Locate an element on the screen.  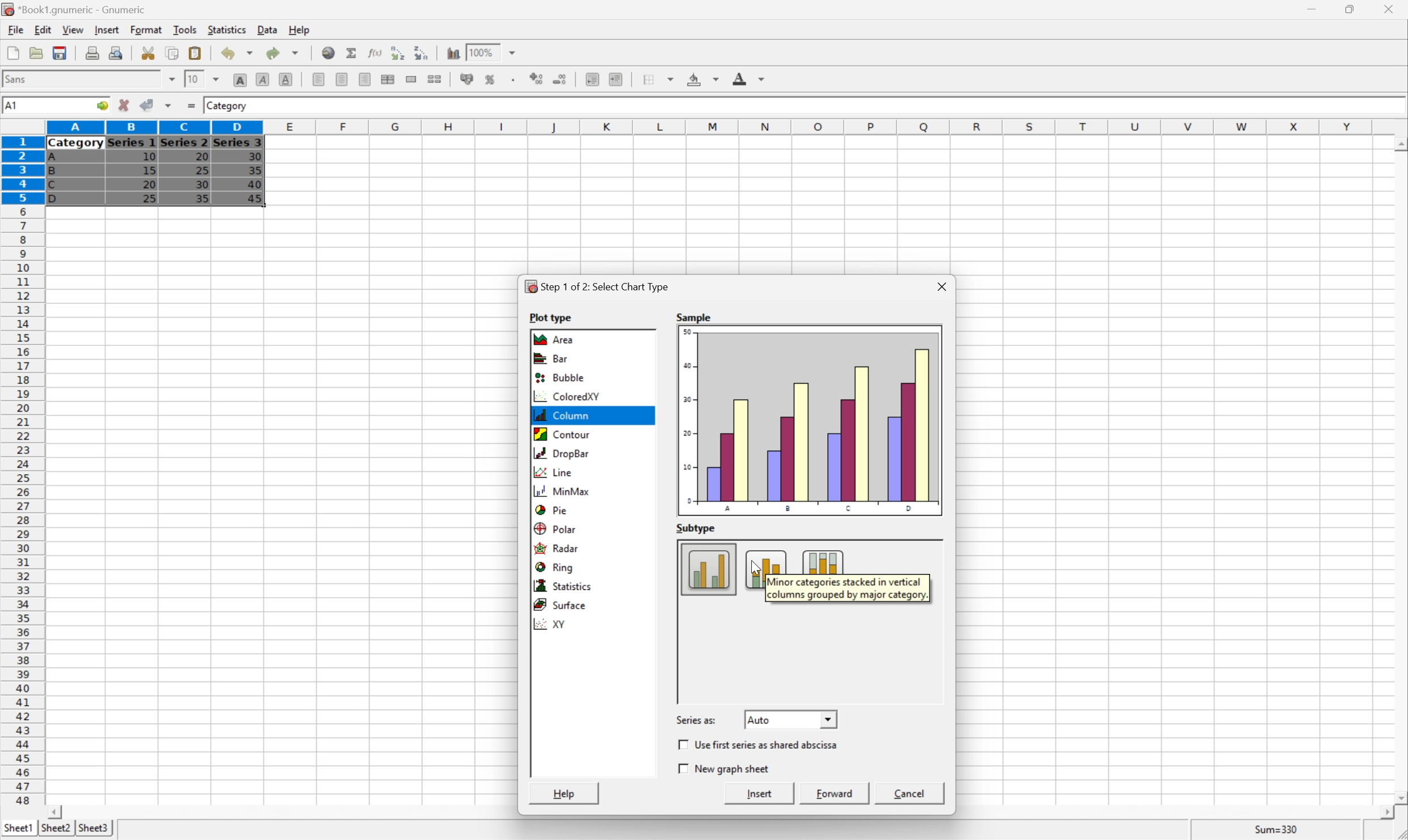
Redo is located at coordinates (281, 52).